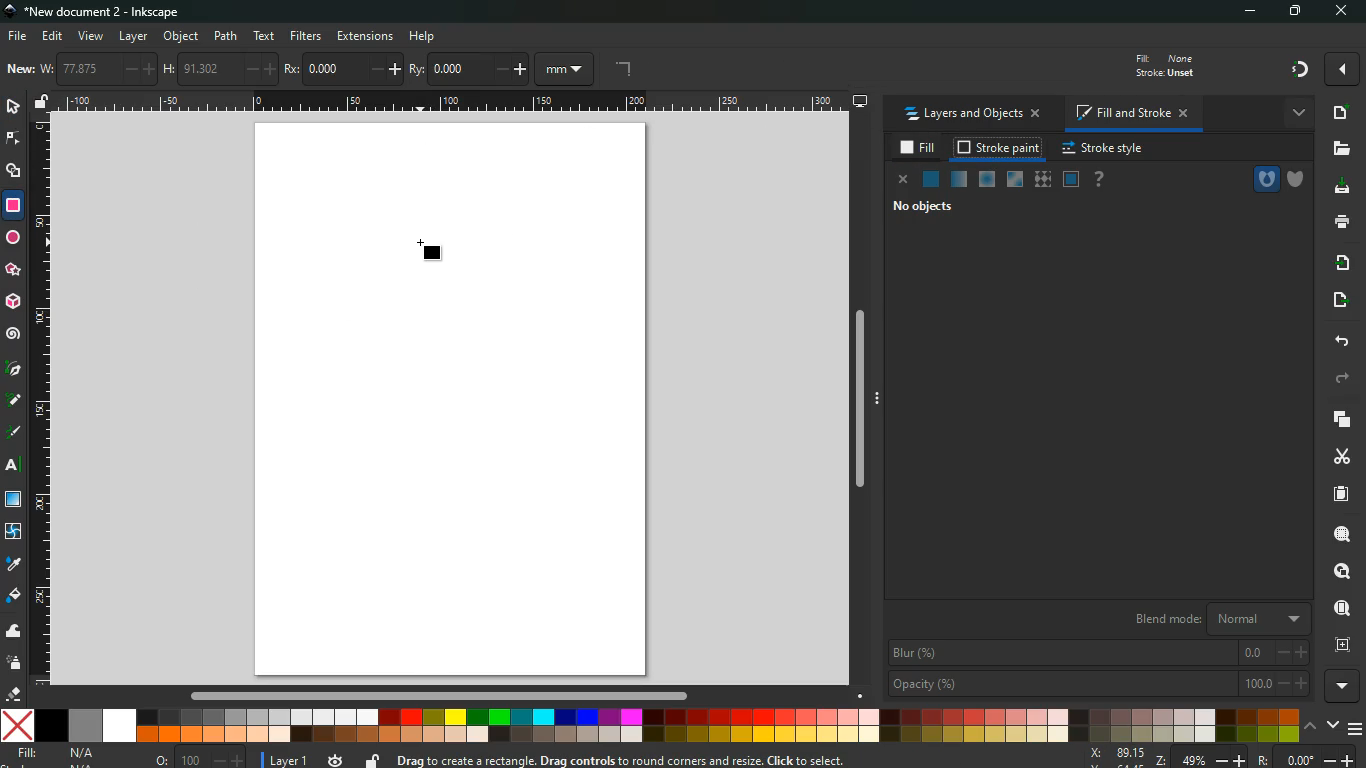 Image resolution: width=1366 pixels, height=768 pixels. Describe the element at coordinates (12, 108) in the screenshot. I see `select` at that location.